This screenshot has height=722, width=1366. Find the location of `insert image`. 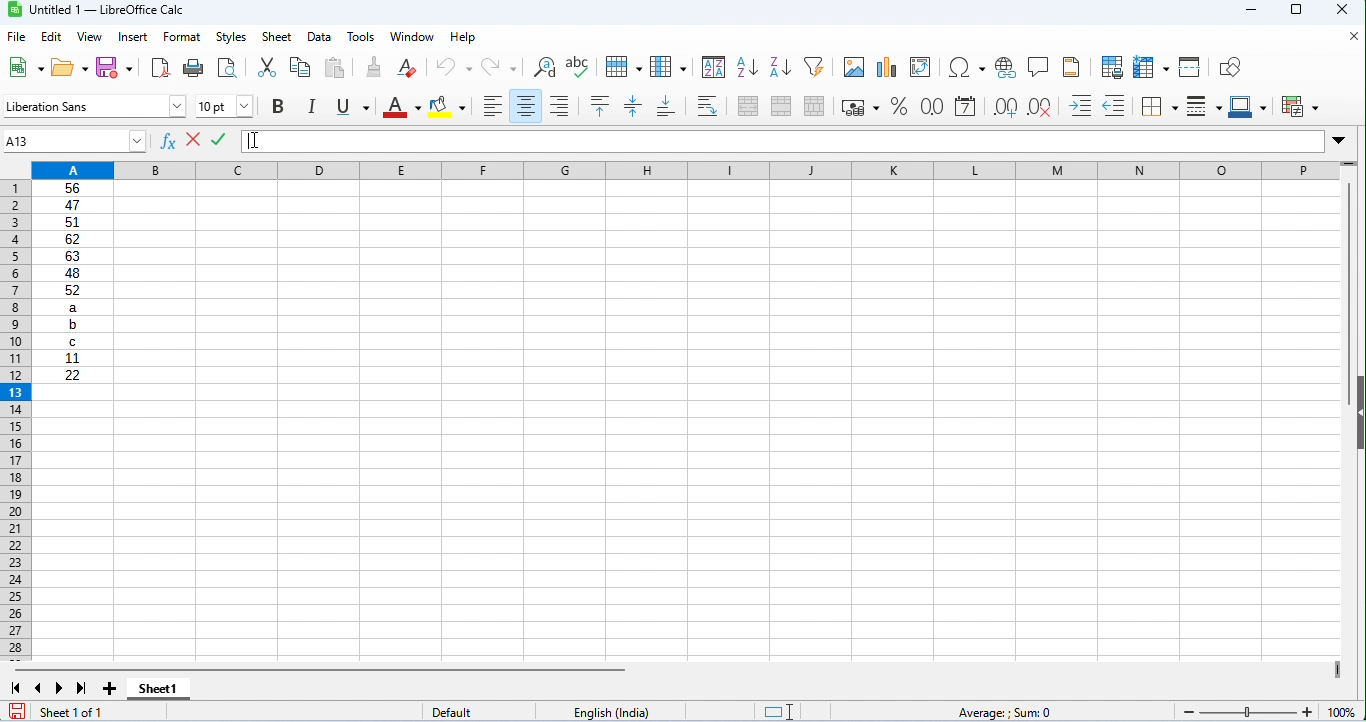

insert image is located at coordinates (853, 68).